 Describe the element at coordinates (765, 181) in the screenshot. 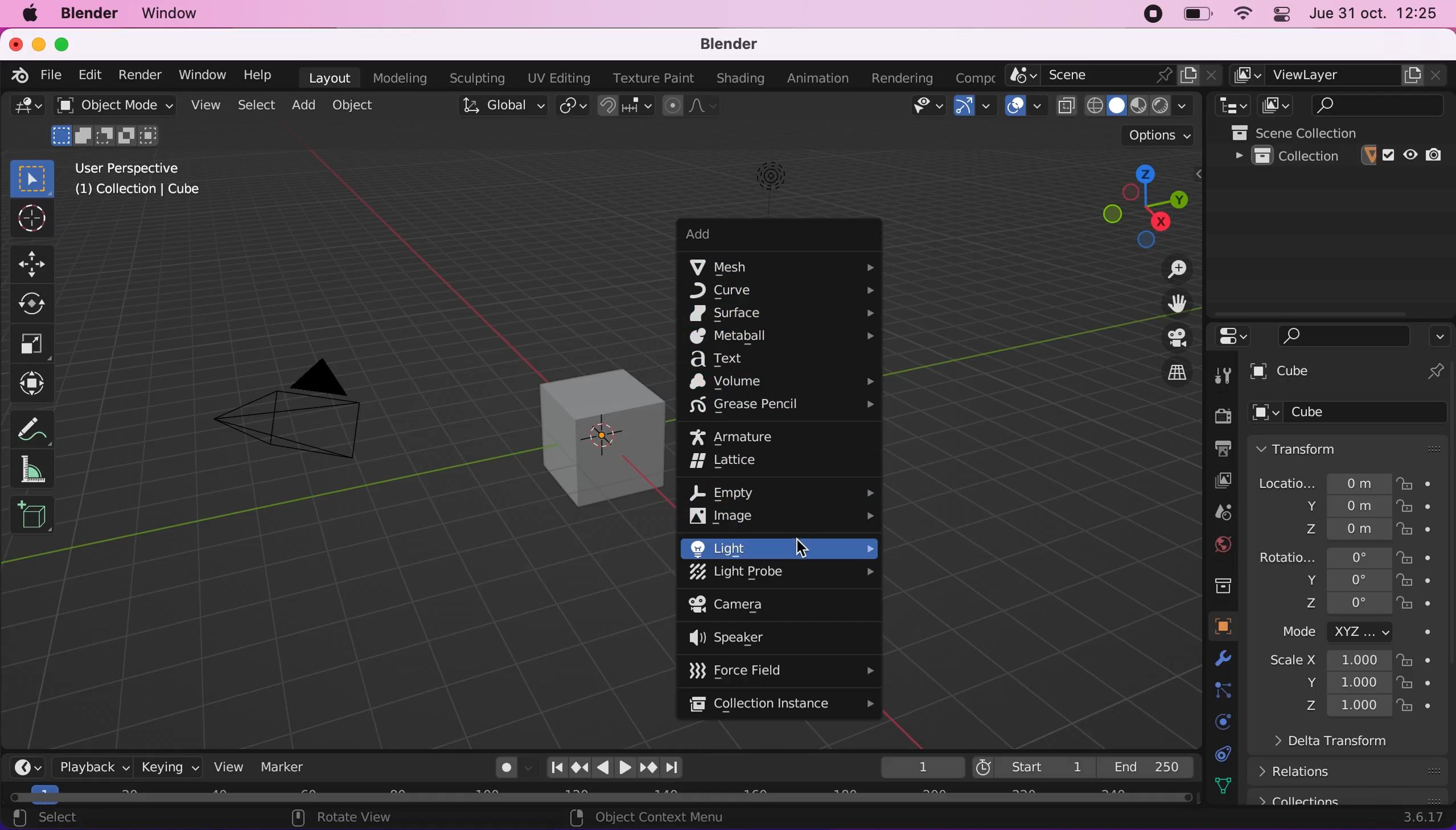

I see `light` at that location.